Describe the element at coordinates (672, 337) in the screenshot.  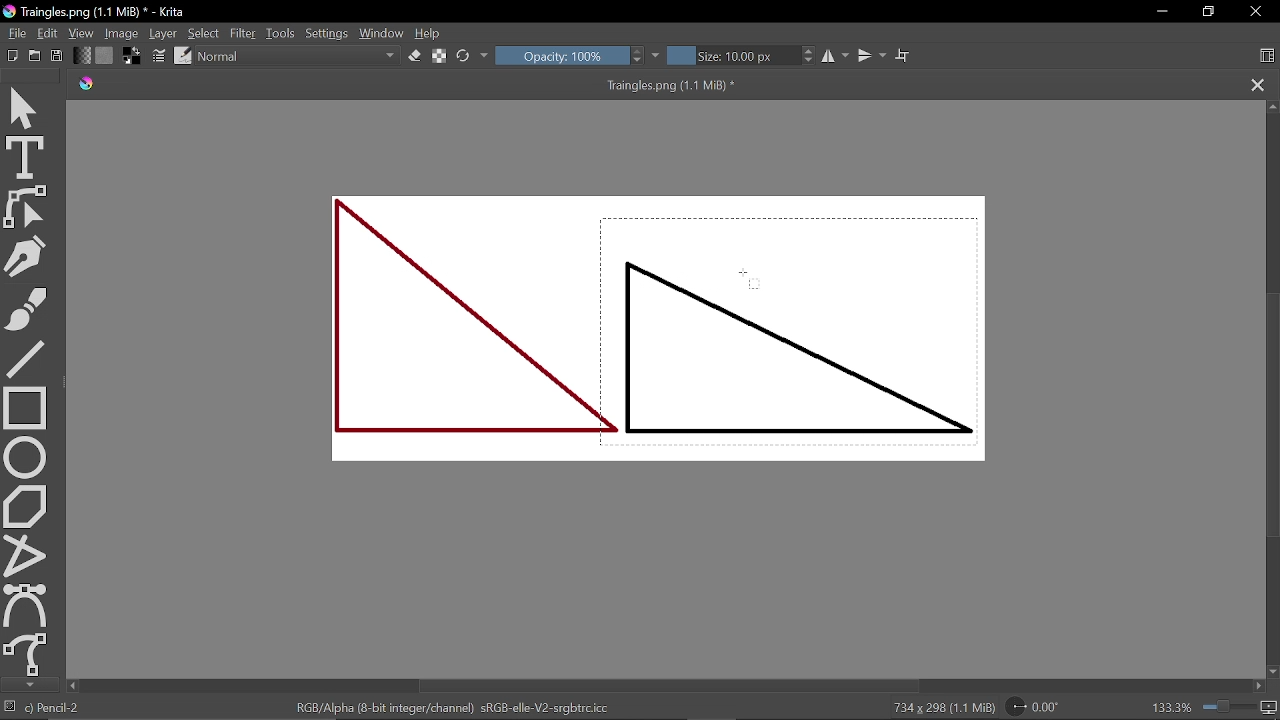
I see `Two triangles` at that location.